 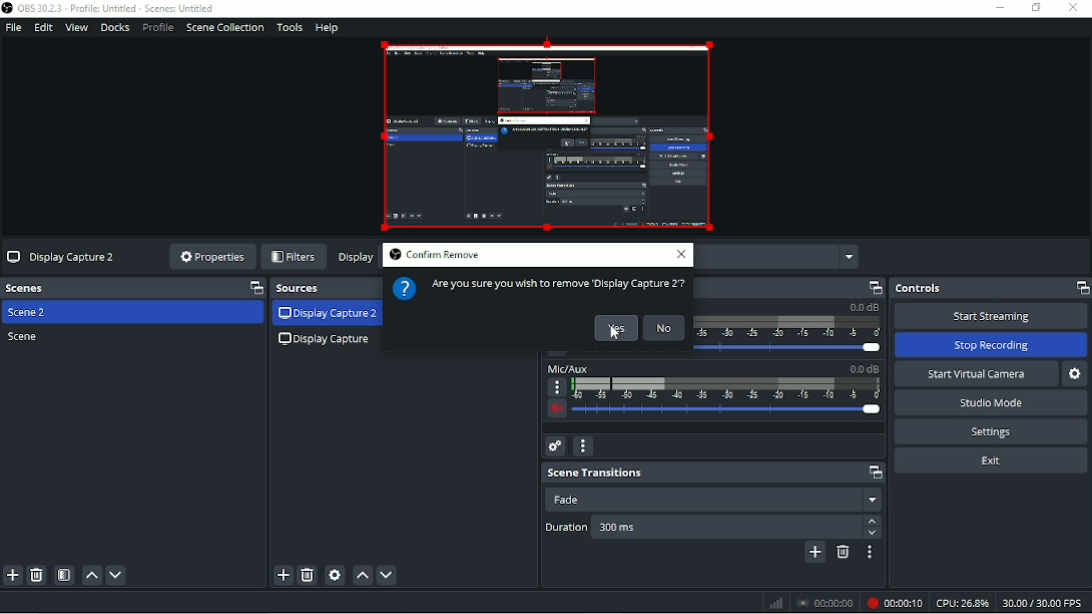 I want to click on Move scene up, so click(x=92, y=576).